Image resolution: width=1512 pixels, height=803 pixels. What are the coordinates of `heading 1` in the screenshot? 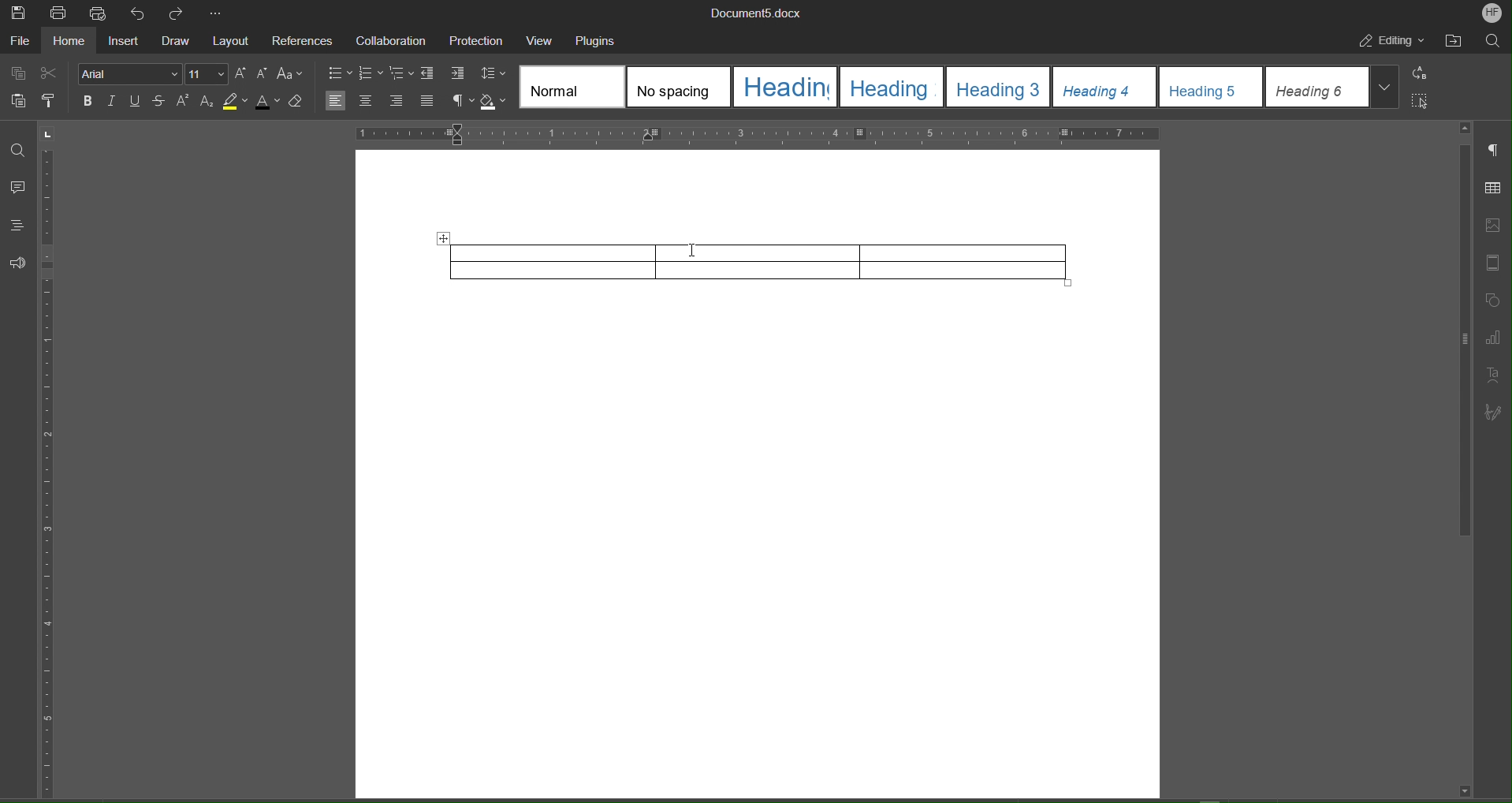 It's located at (786, 87).